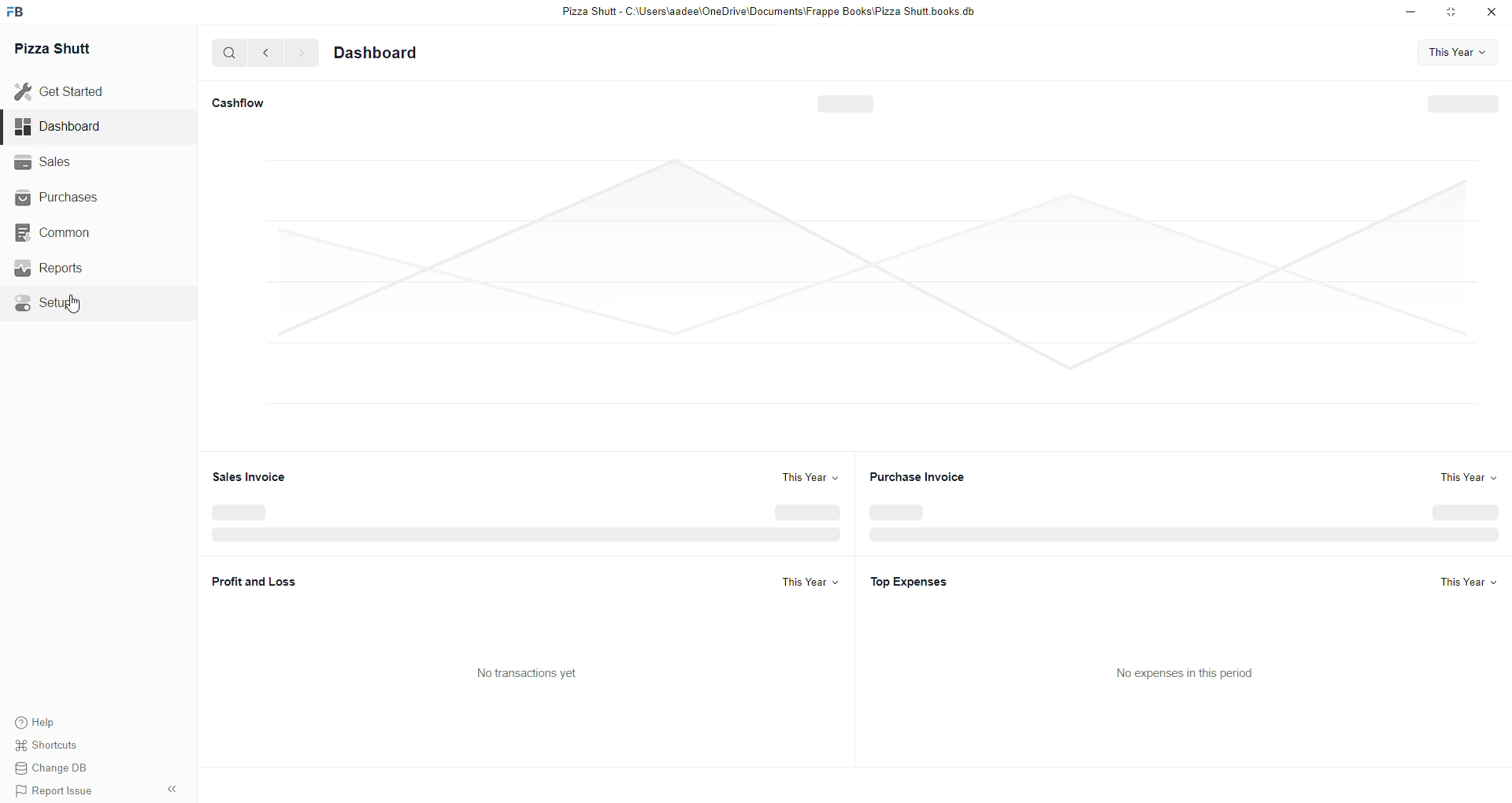 This screenshot has width=1512, height=803. Describe the element at coordinates (771, 14) in the screenshot. I see `Pizza Shut - C:\Userslaadee\OneDrive\Documents\Frappe Books\Pizza Shutt books.db` at that location.